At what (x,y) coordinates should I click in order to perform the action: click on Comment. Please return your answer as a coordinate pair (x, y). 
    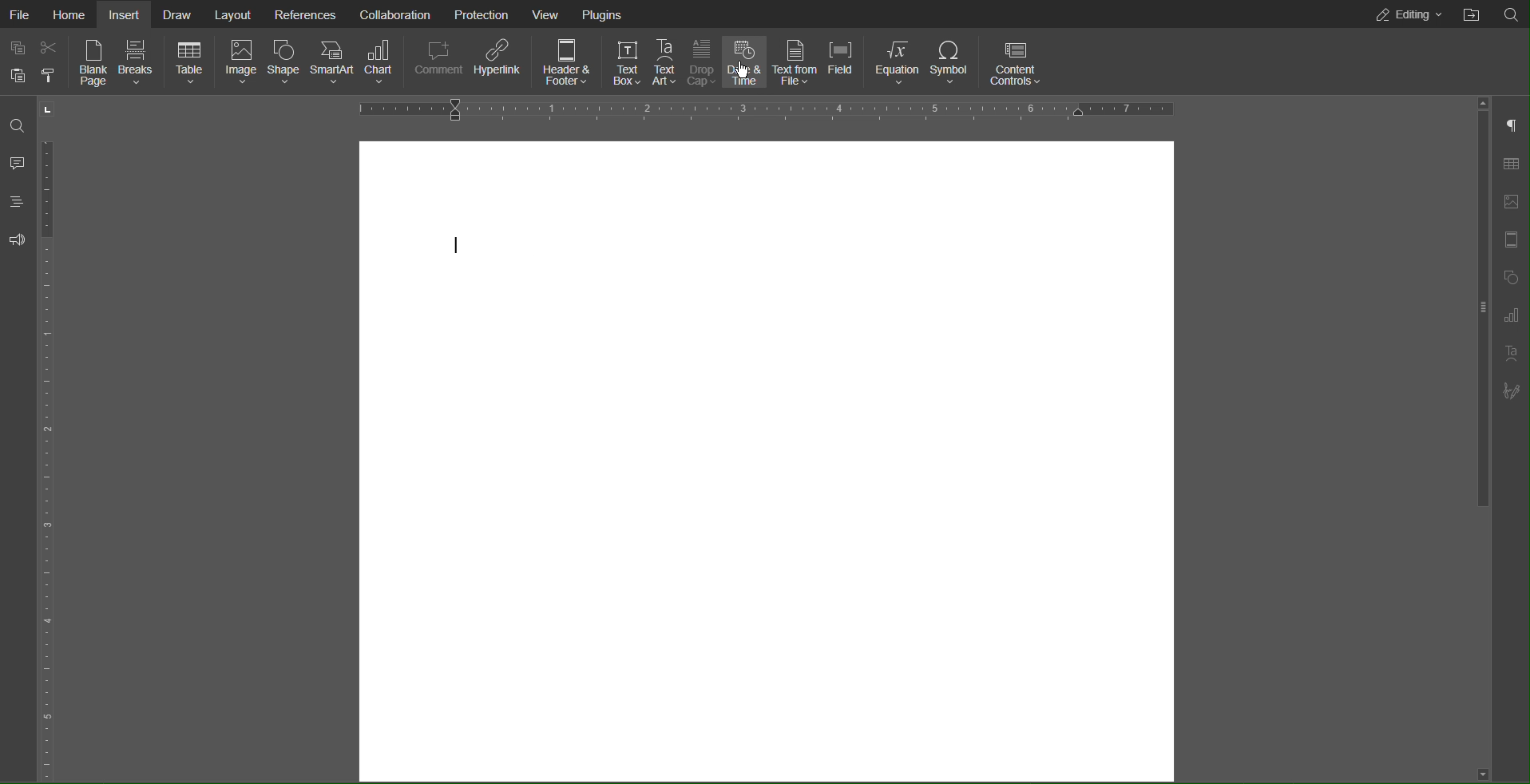
    Looking at the image, I should click on (18, 162).